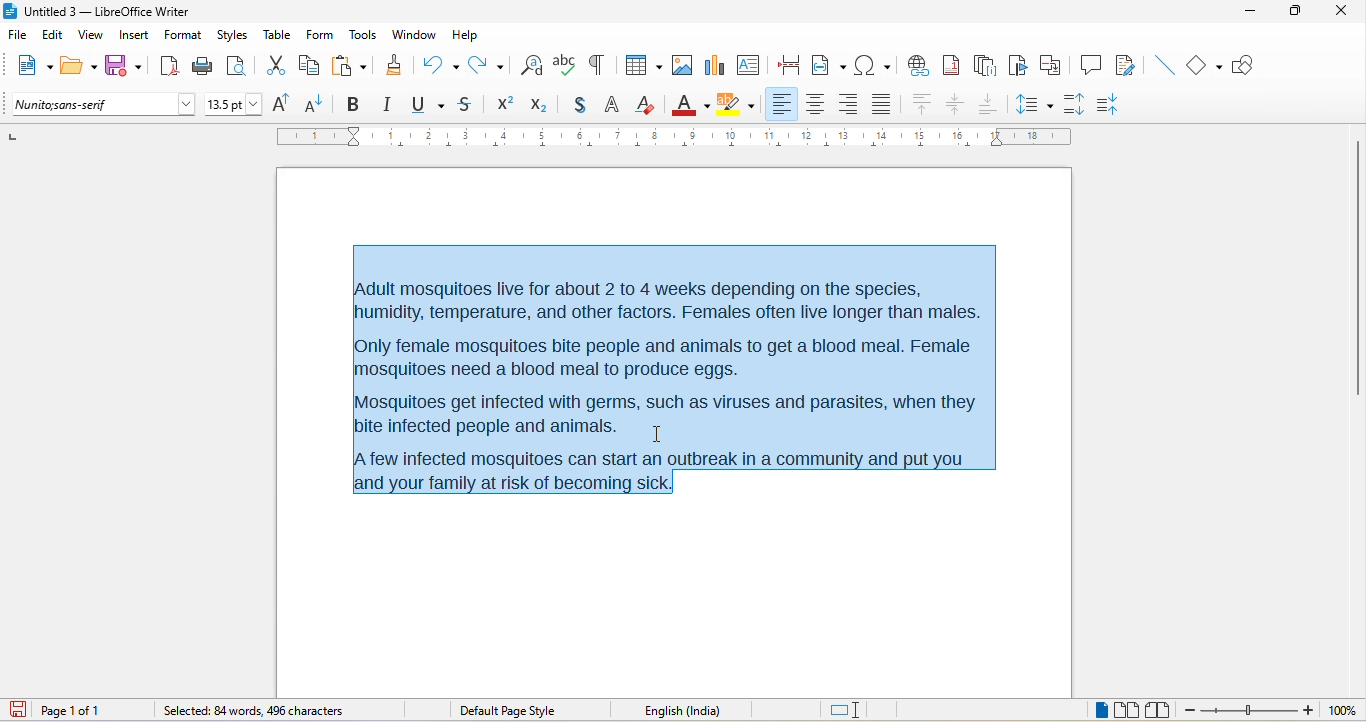 This screenshot has height=722, width=1366. Describe the element at coordinates (54, 38) in the screenshot. I see `edit` at that location.